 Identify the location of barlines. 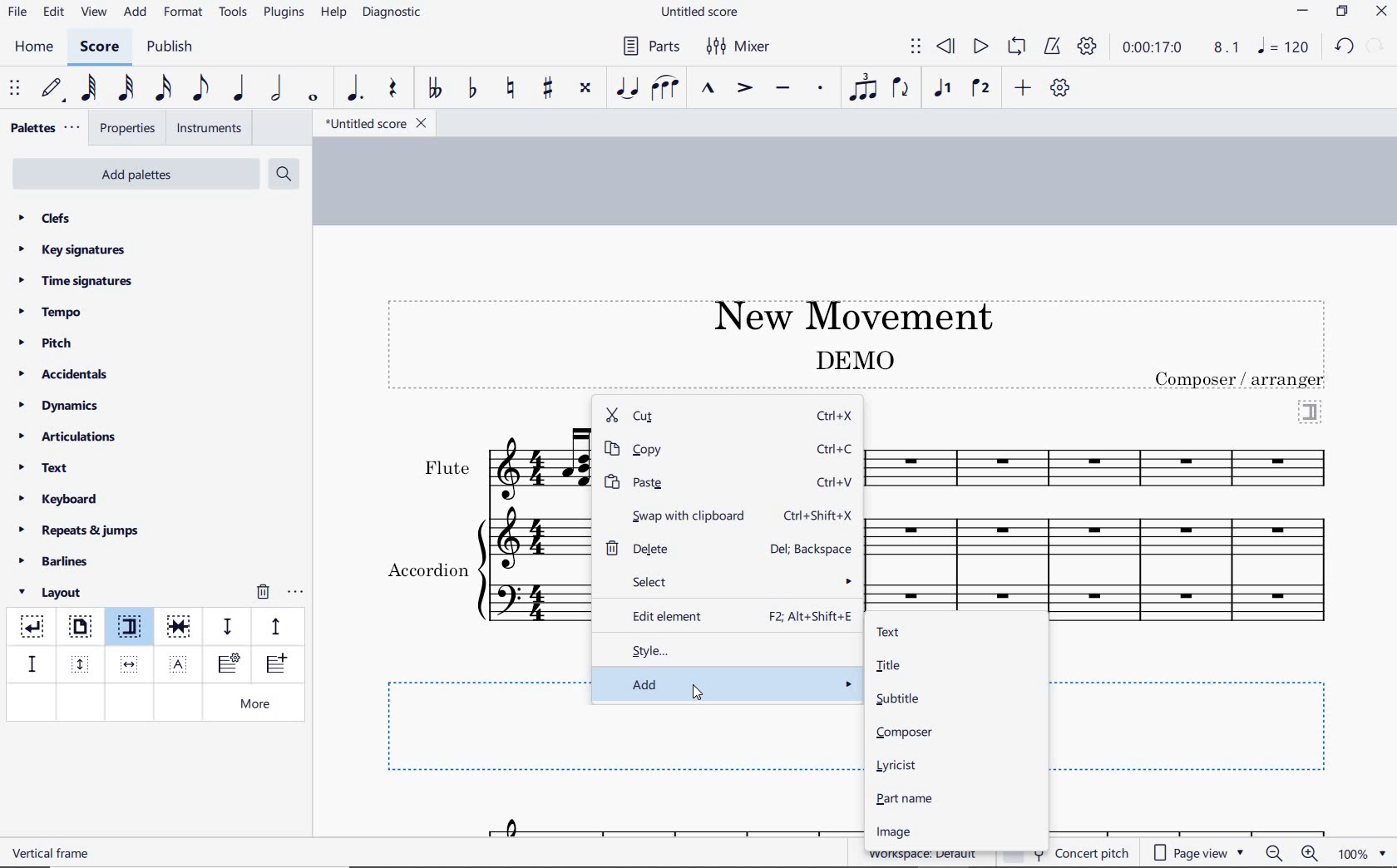
(59, 562).